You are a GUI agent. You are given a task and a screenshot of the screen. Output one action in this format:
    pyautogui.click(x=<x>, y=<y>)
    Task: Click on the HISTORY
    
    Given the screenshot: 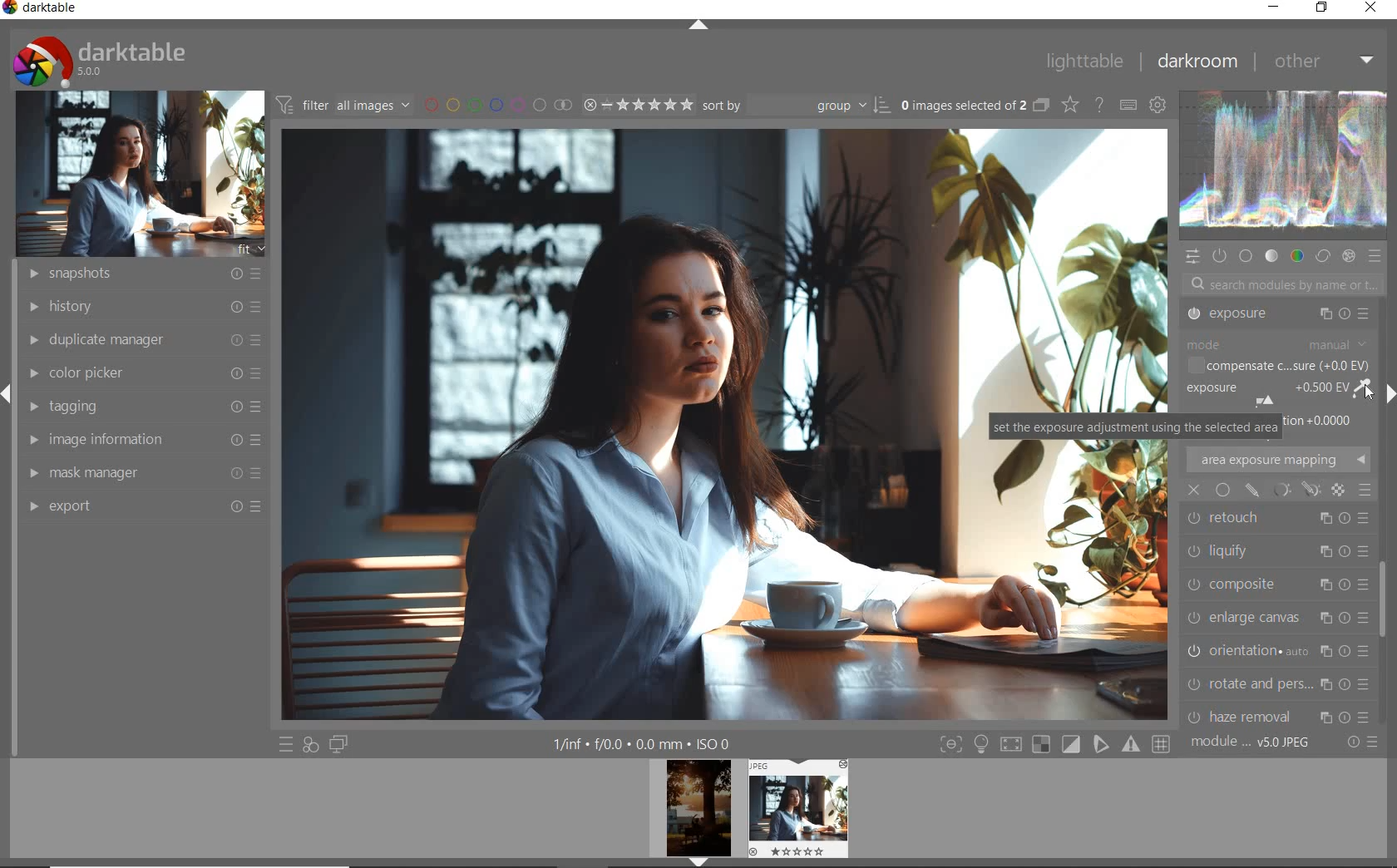 What is the action you would take?
    pyautogui.click(x=141, y=308)
    